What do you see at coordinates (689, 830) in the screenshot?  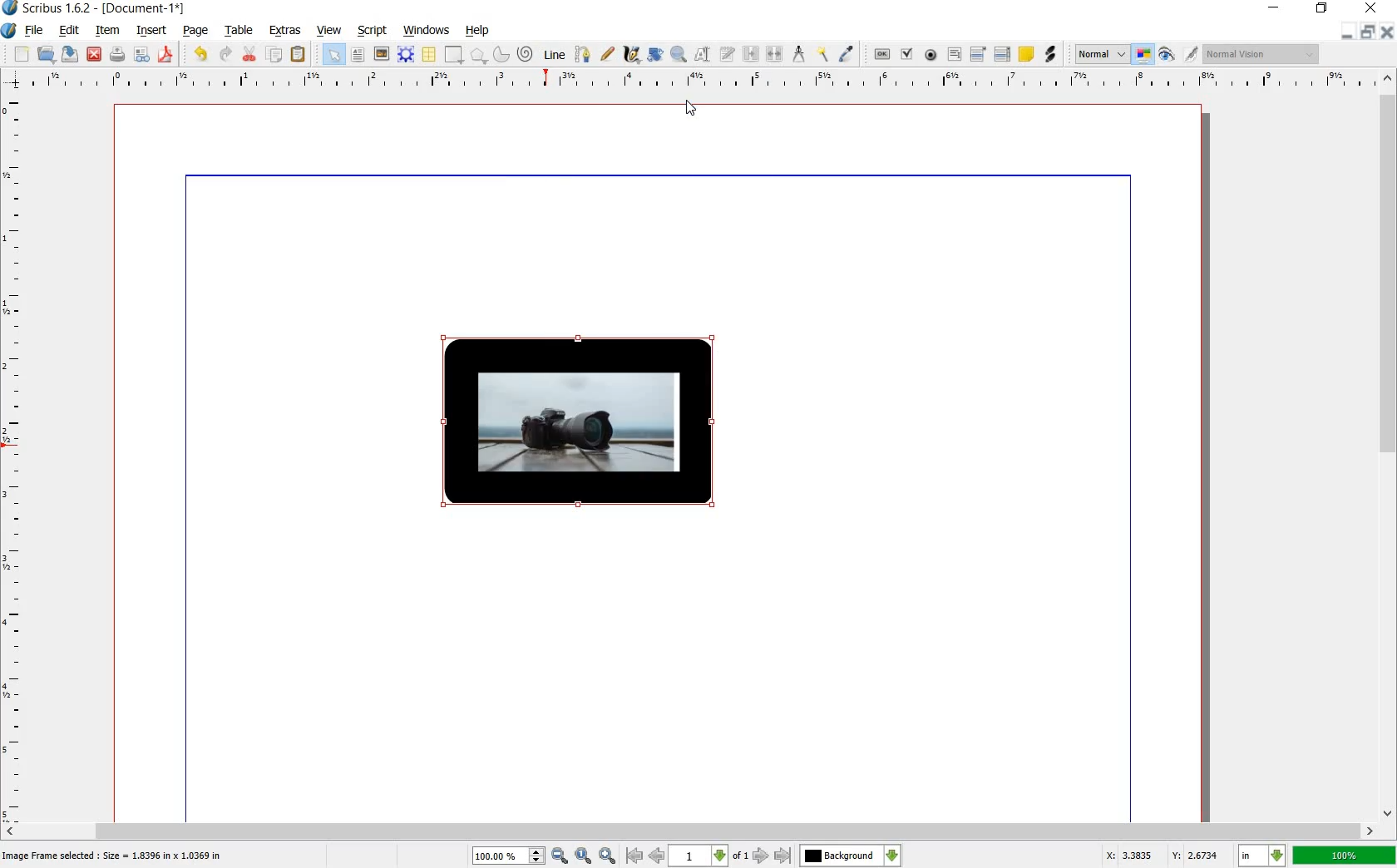 I see `scrollbar` at bounding box center [689, 830].